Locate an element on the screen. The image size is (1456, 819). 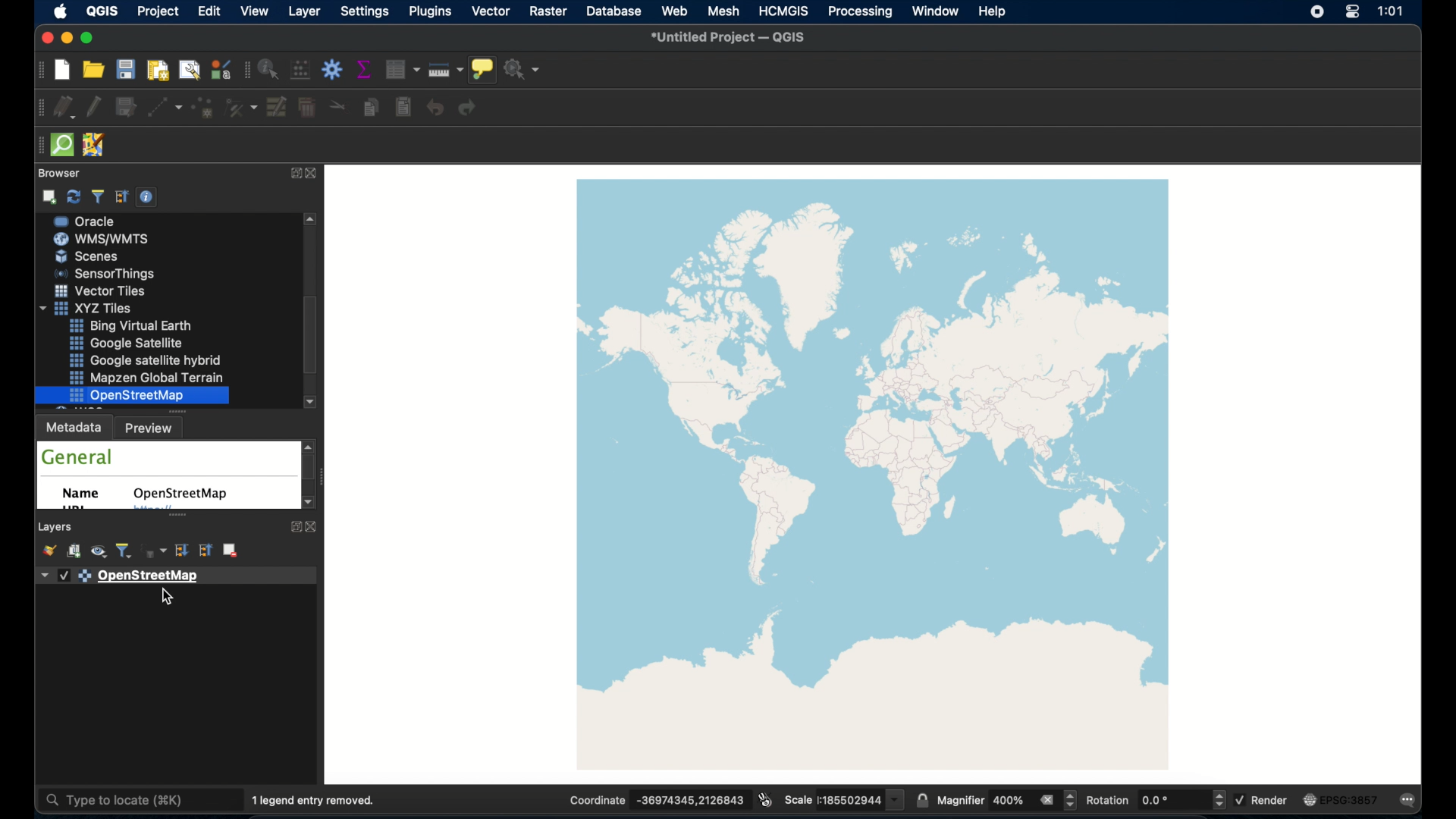
current edits is located at coordinates (64, 108).